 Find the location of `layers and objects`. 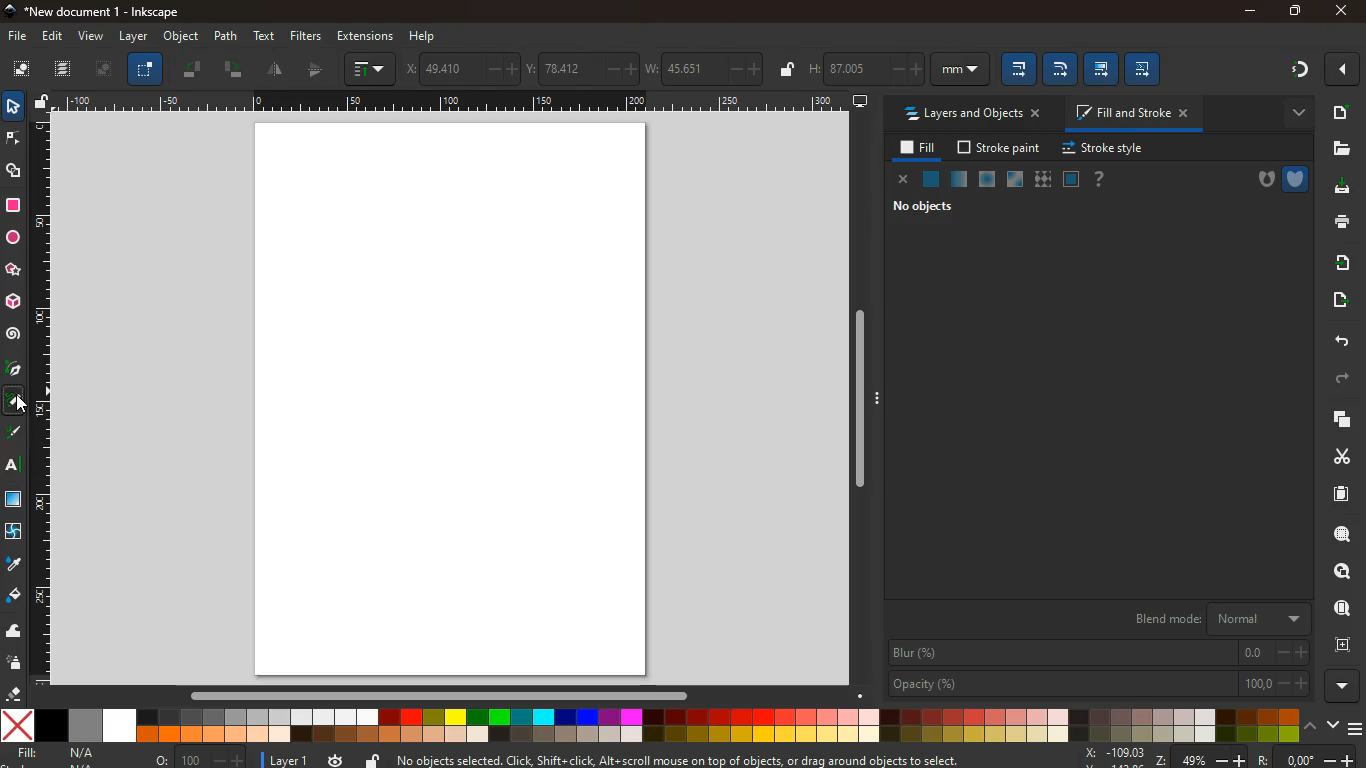

layers and objects is located at coordinates (971, 113).